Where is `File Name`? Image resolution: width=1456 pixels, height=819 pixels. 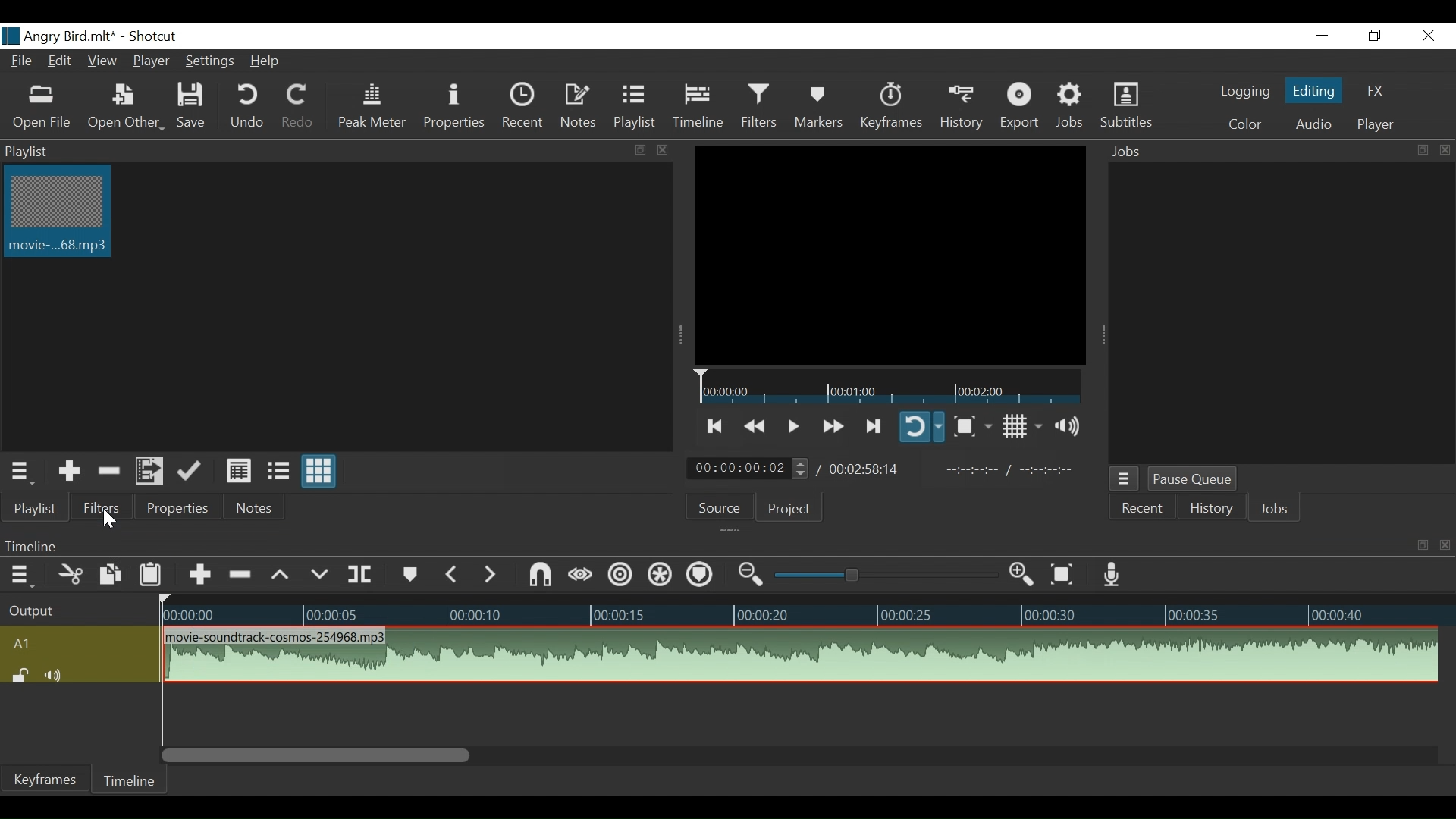
File Name is located at coordinates (60, 36).